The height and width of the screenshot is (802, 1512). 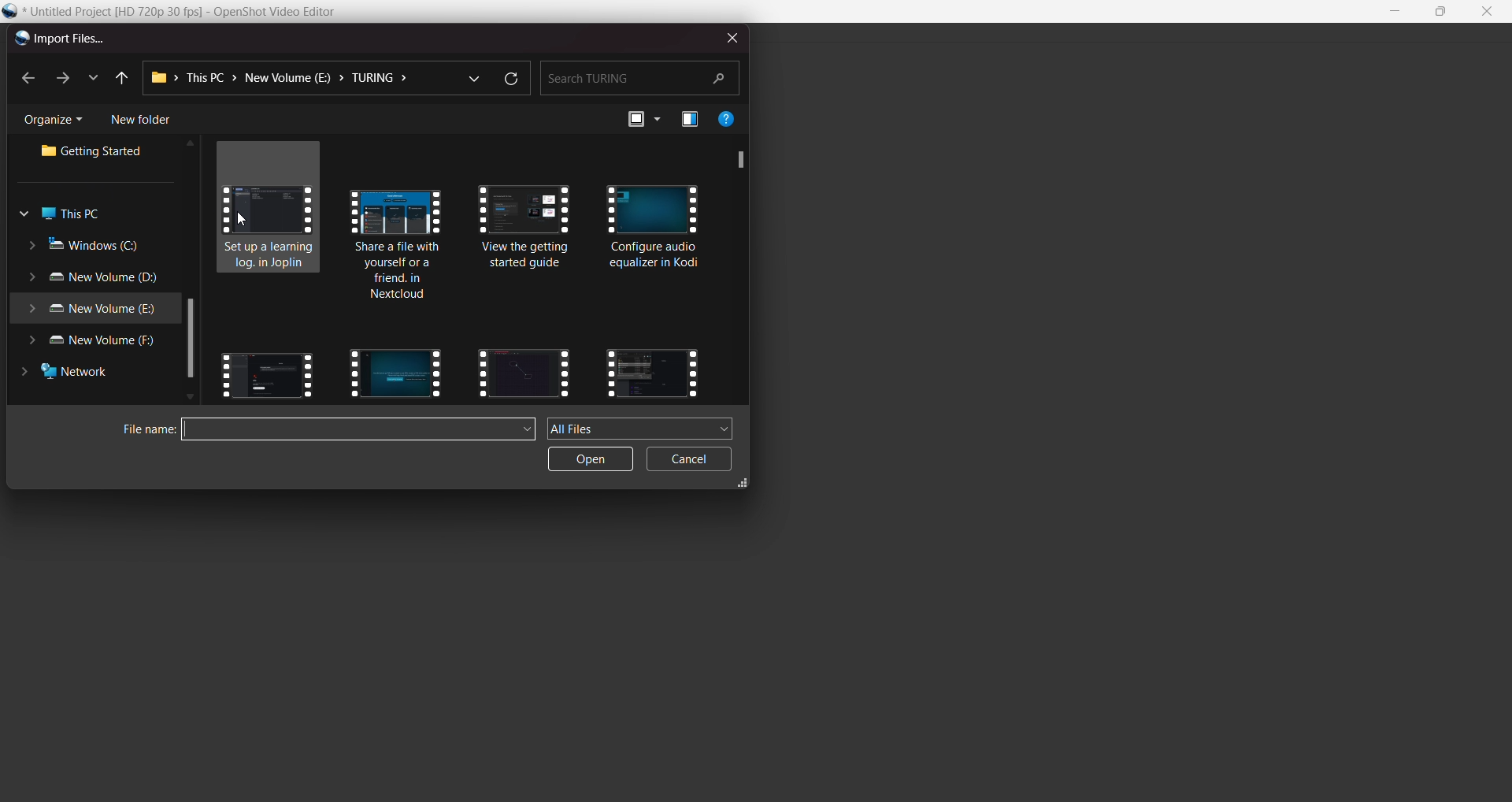 What do you see at coordinates (142, 430) in the screenshot?
I see `file name` at bounding box center [142, 430].